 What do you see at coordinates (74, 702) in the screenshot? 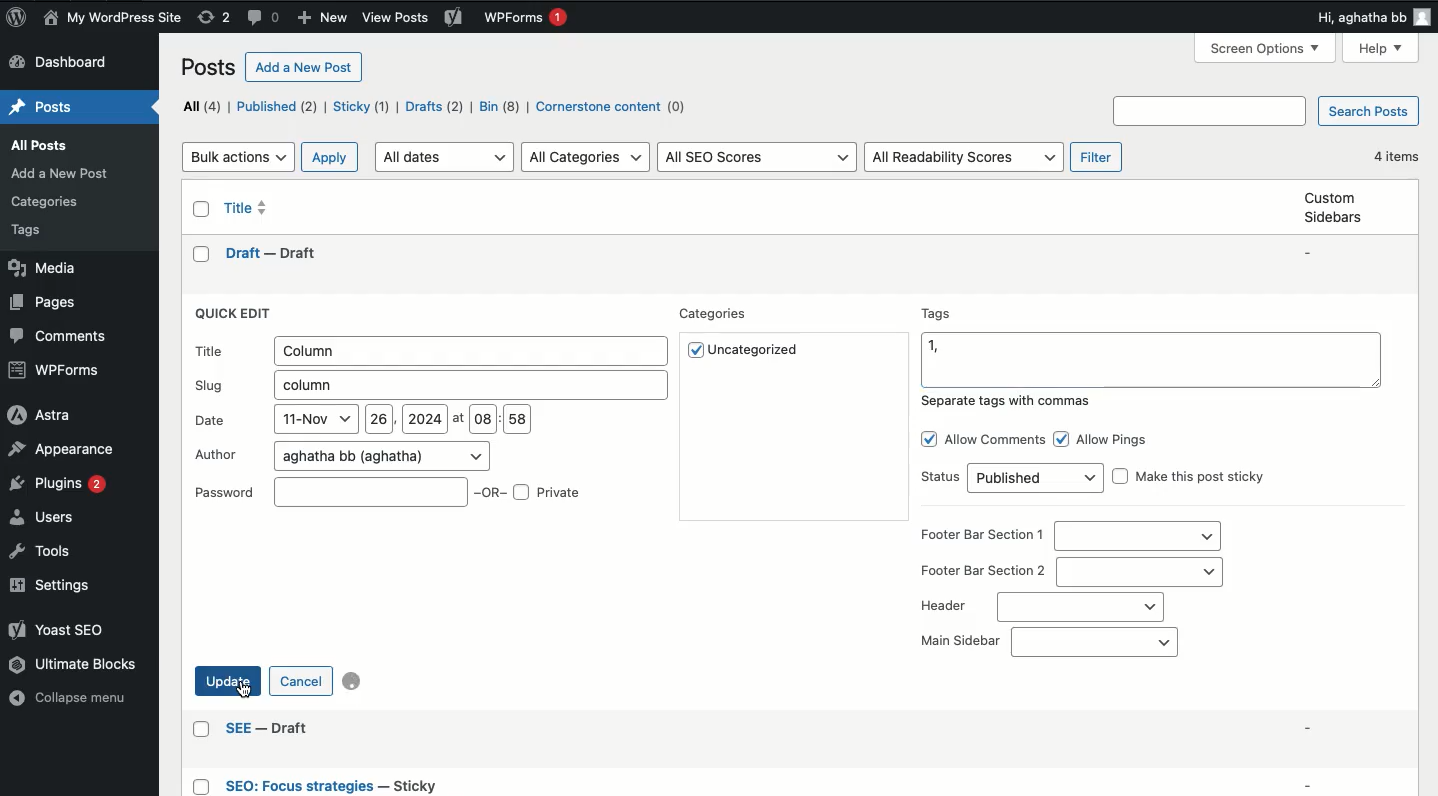
I see `Collapse menu` at bounding box center [74, 702].